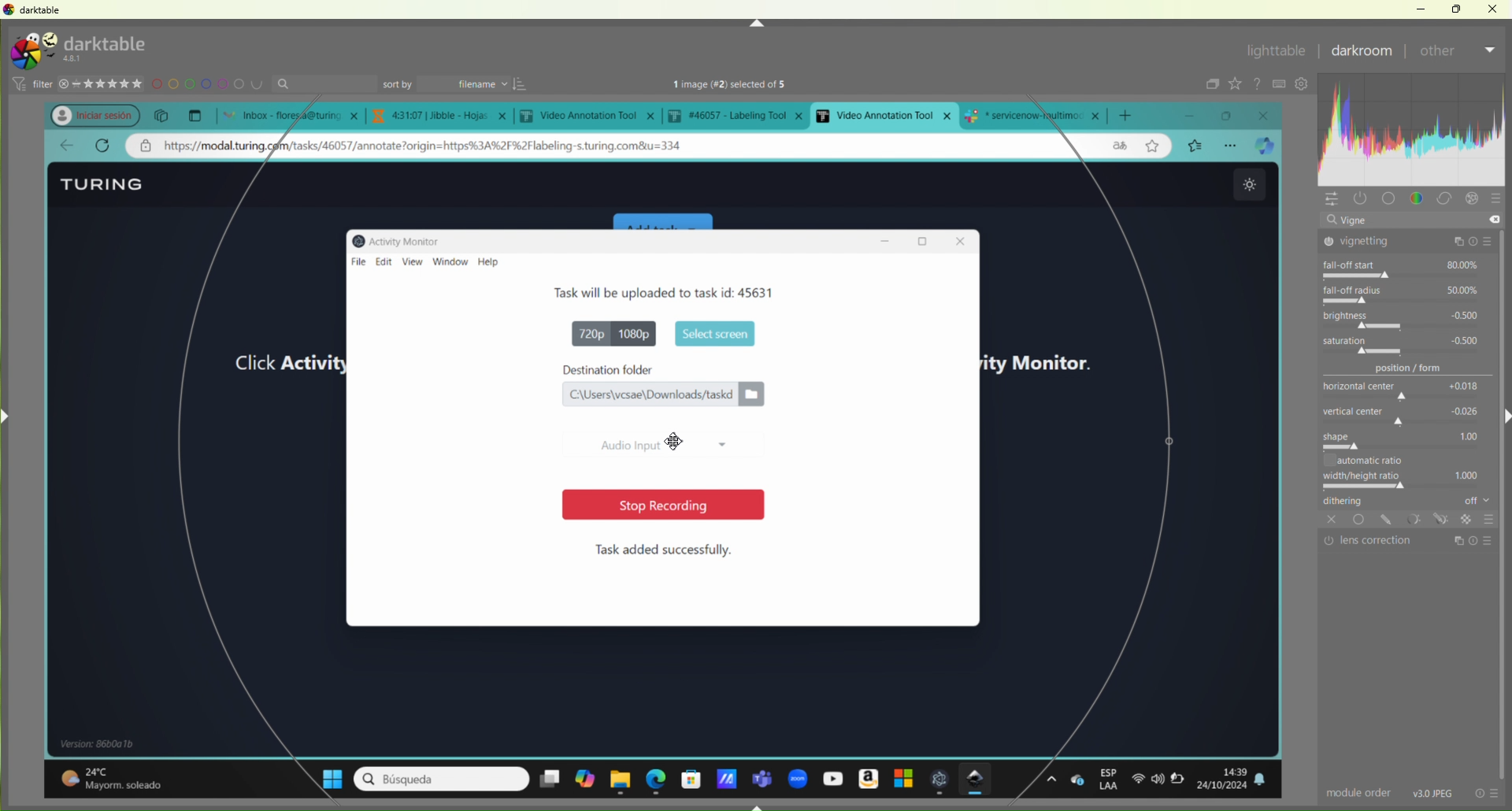  What do you see at coordinates (657, 778) in the screenshot?
I see `edge` at bounding box center [657, 778].